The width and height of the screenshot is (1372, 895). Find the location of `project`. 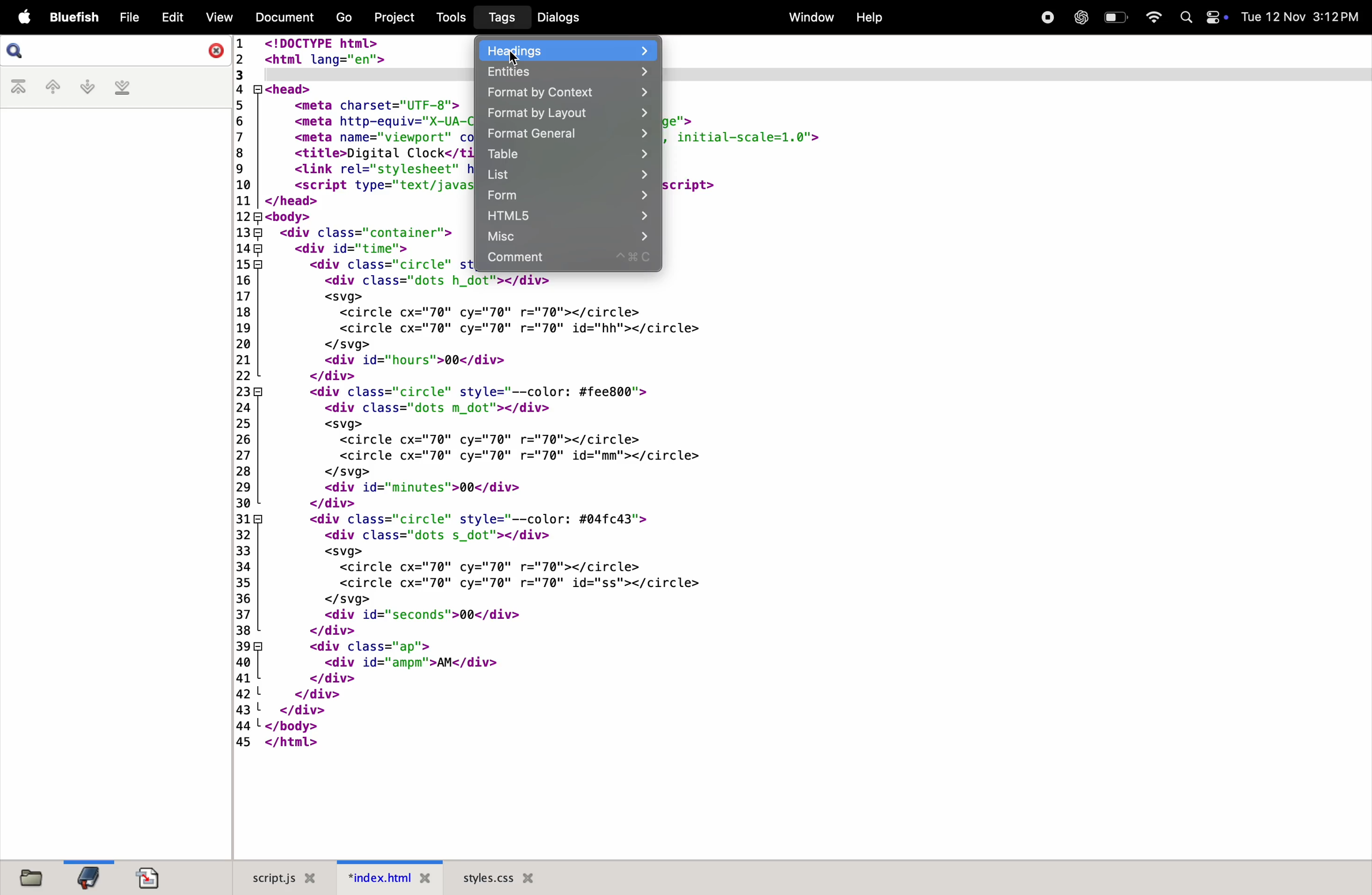

project is located at coordinates (392, 16).